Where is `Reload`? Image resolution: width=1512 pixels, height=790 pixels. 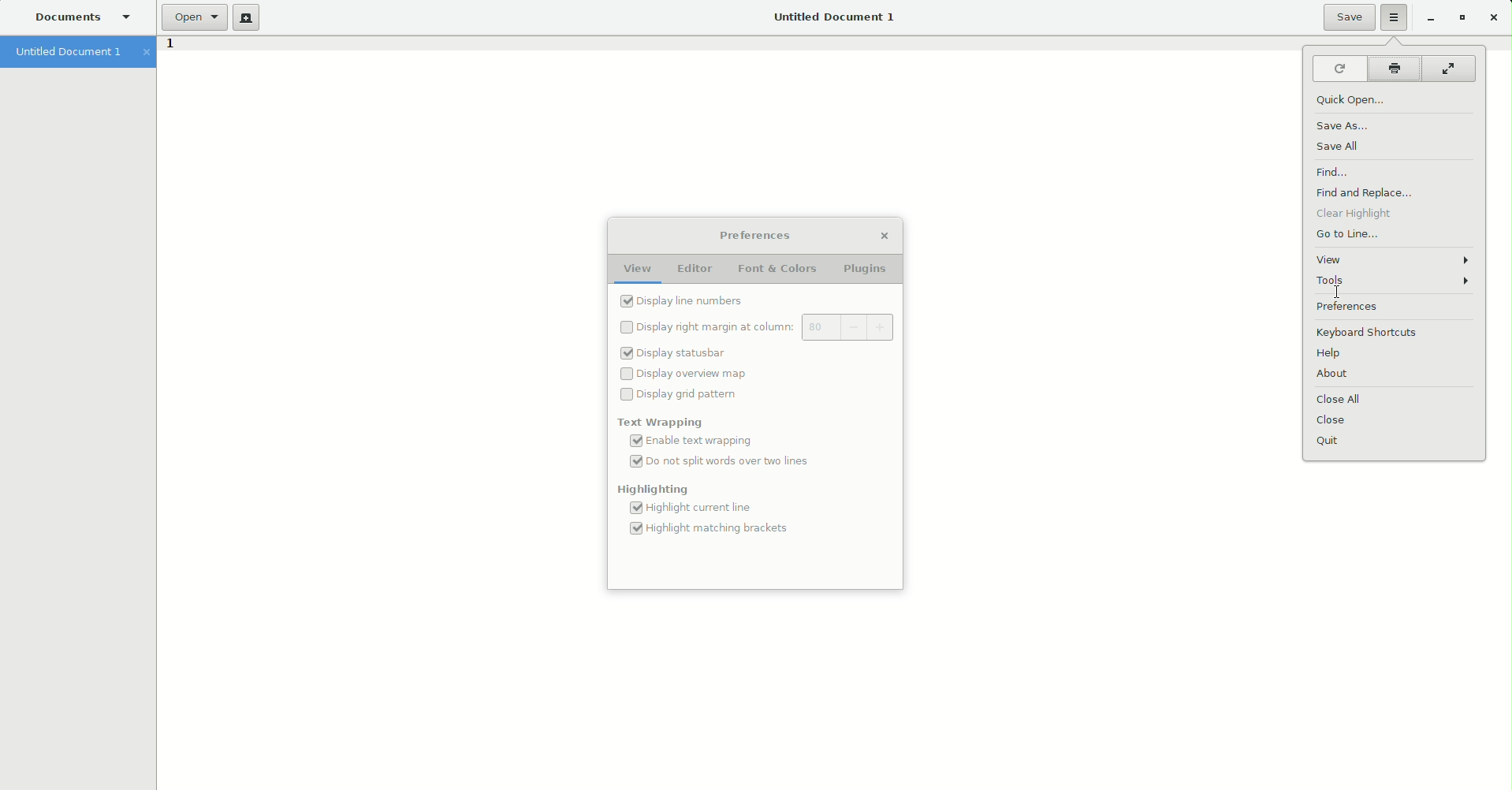
Reload is located at coordinates (1335, 68).